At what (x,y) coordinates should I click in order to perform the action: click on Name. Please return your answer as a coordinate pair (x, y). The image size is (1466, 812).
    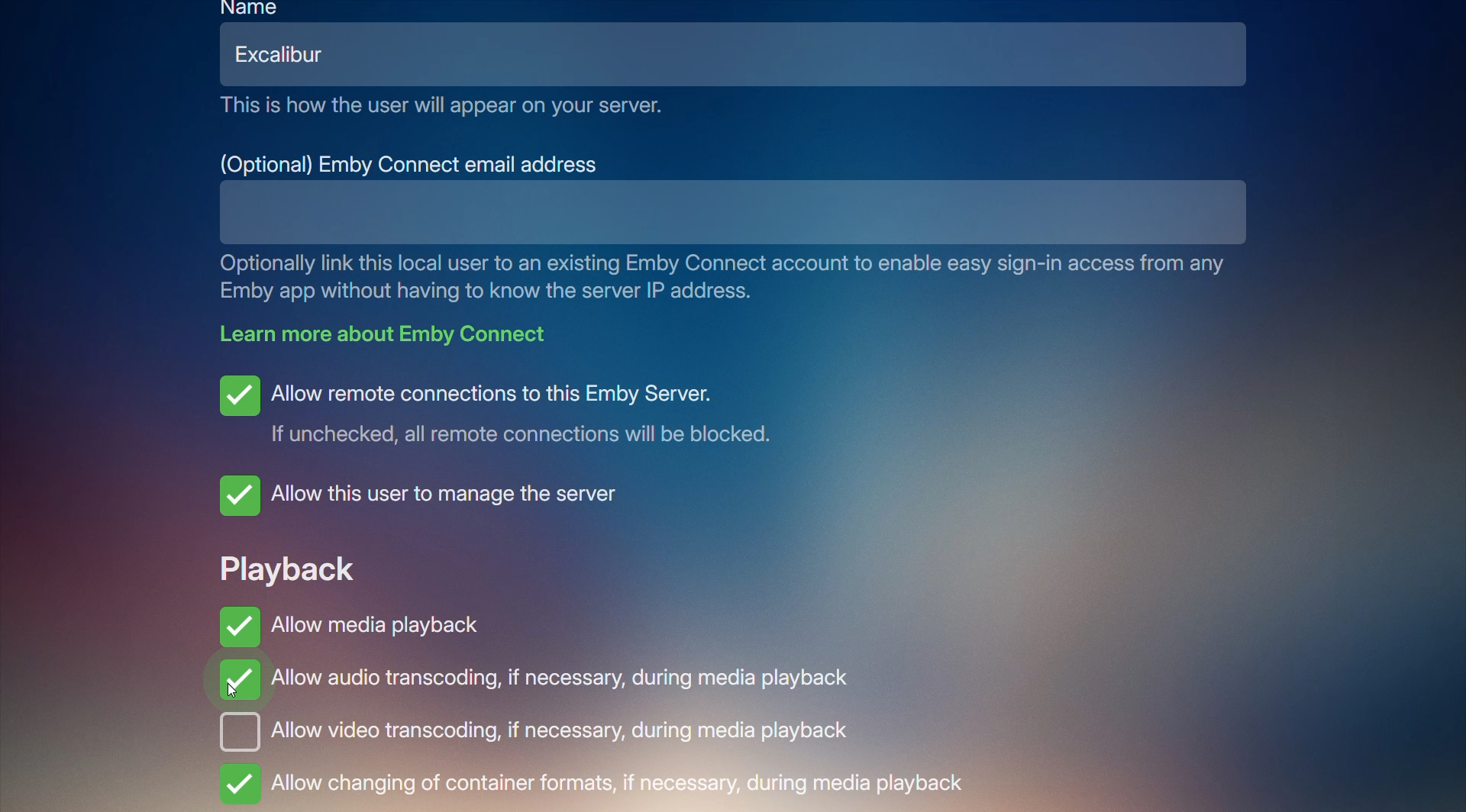
    Looking at the image, I should click on (252, 8).